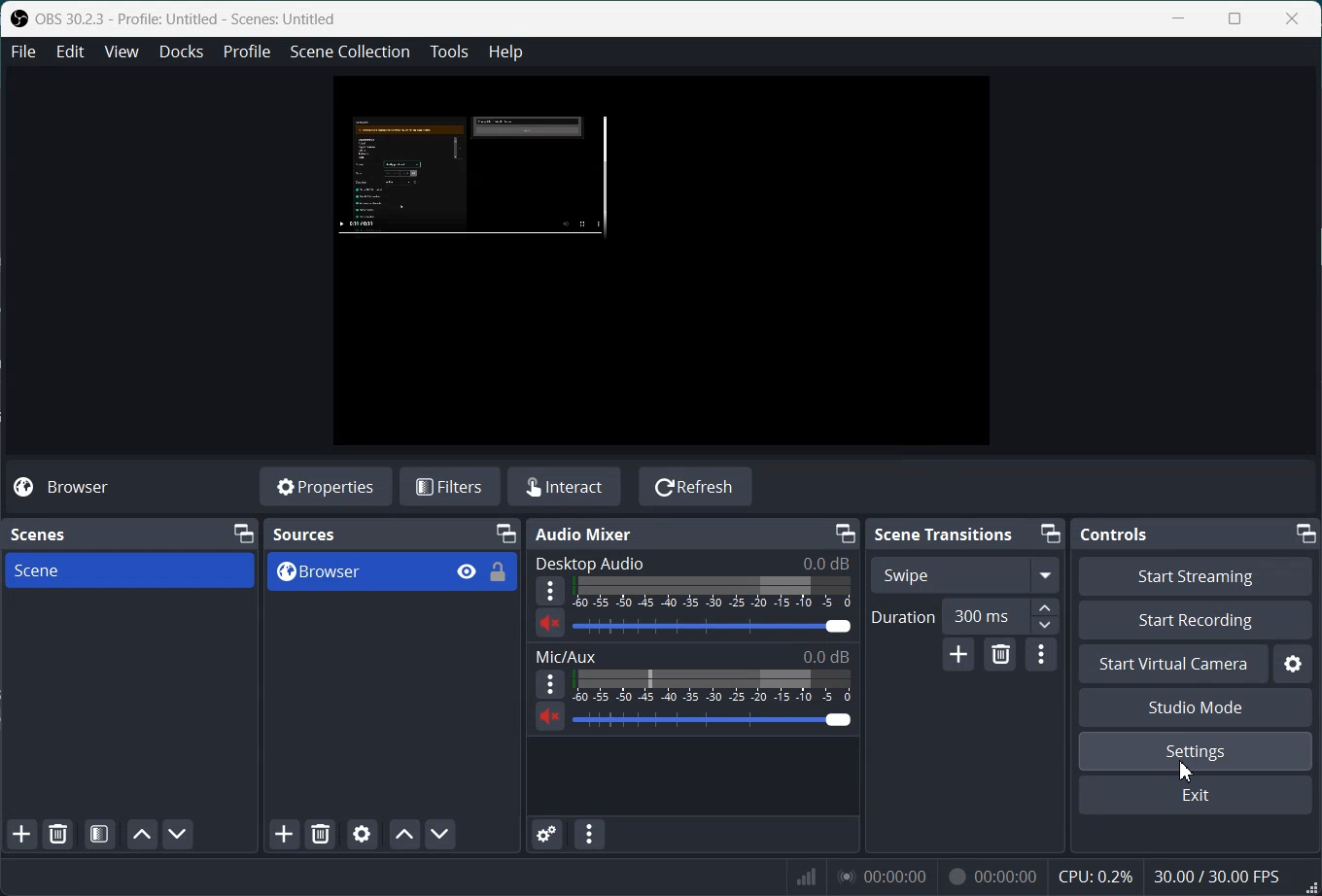  What do you see at coordinates (713, 626) in the screenshot?
I see `Volume Adjuster` at bounding box center [713, 626].